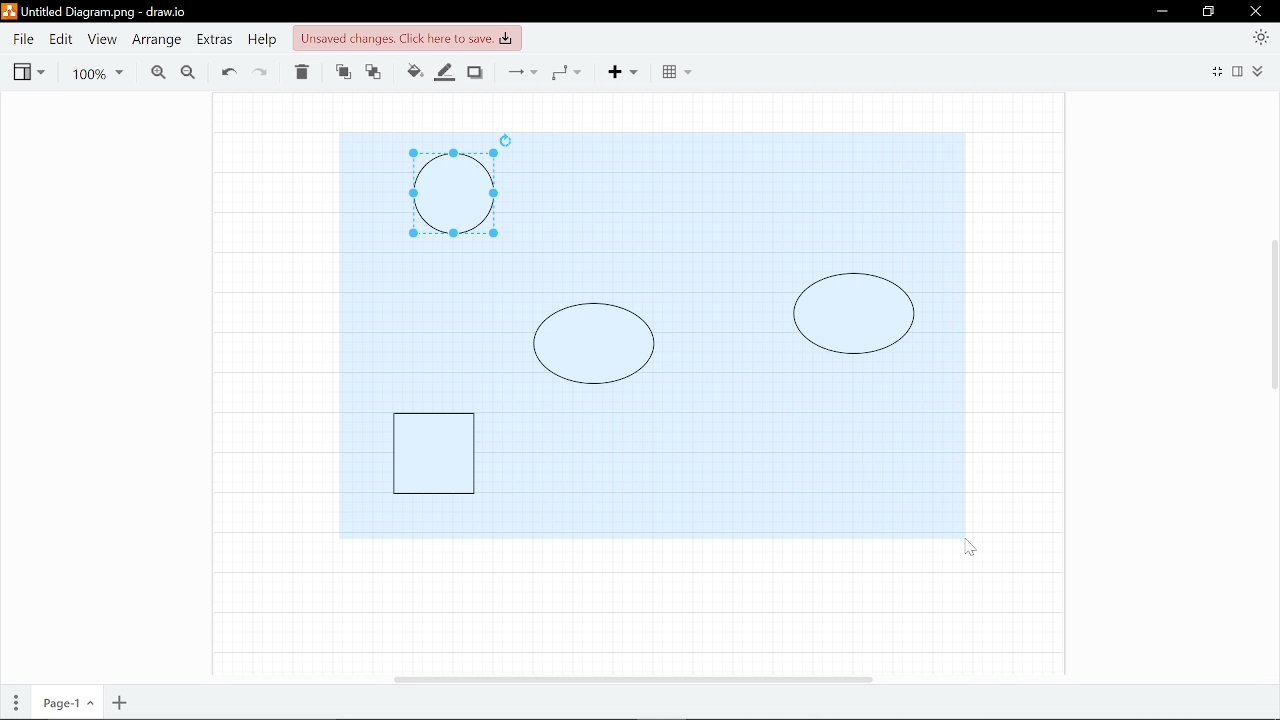 This screenshot has width=1280, height=720. Describe the element at coordinates (65, 704) in the screenshot. I see `Current page` at that location.